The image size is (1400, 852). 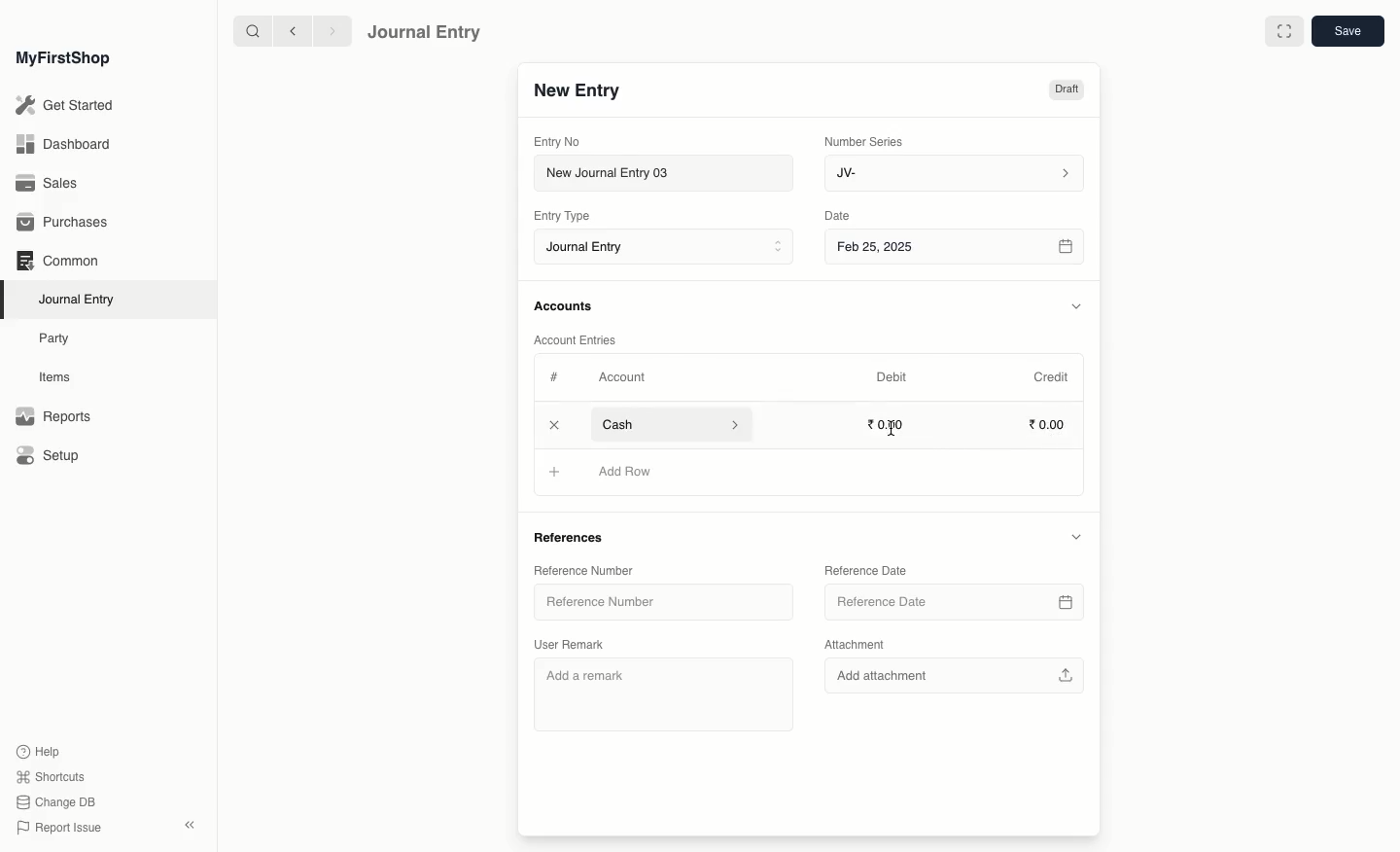 What do you see at coordinates (628, 472) in the screenshot?
I see `Add Row` at bounding box center [628, 472].